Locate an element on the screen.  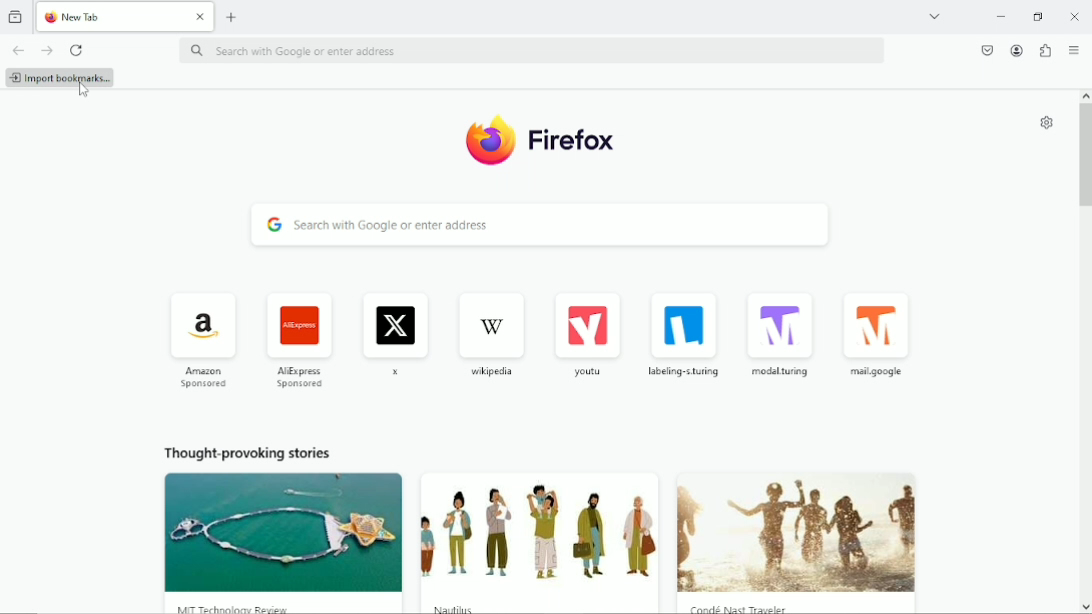
Logo is located at coordinates (490, 140).